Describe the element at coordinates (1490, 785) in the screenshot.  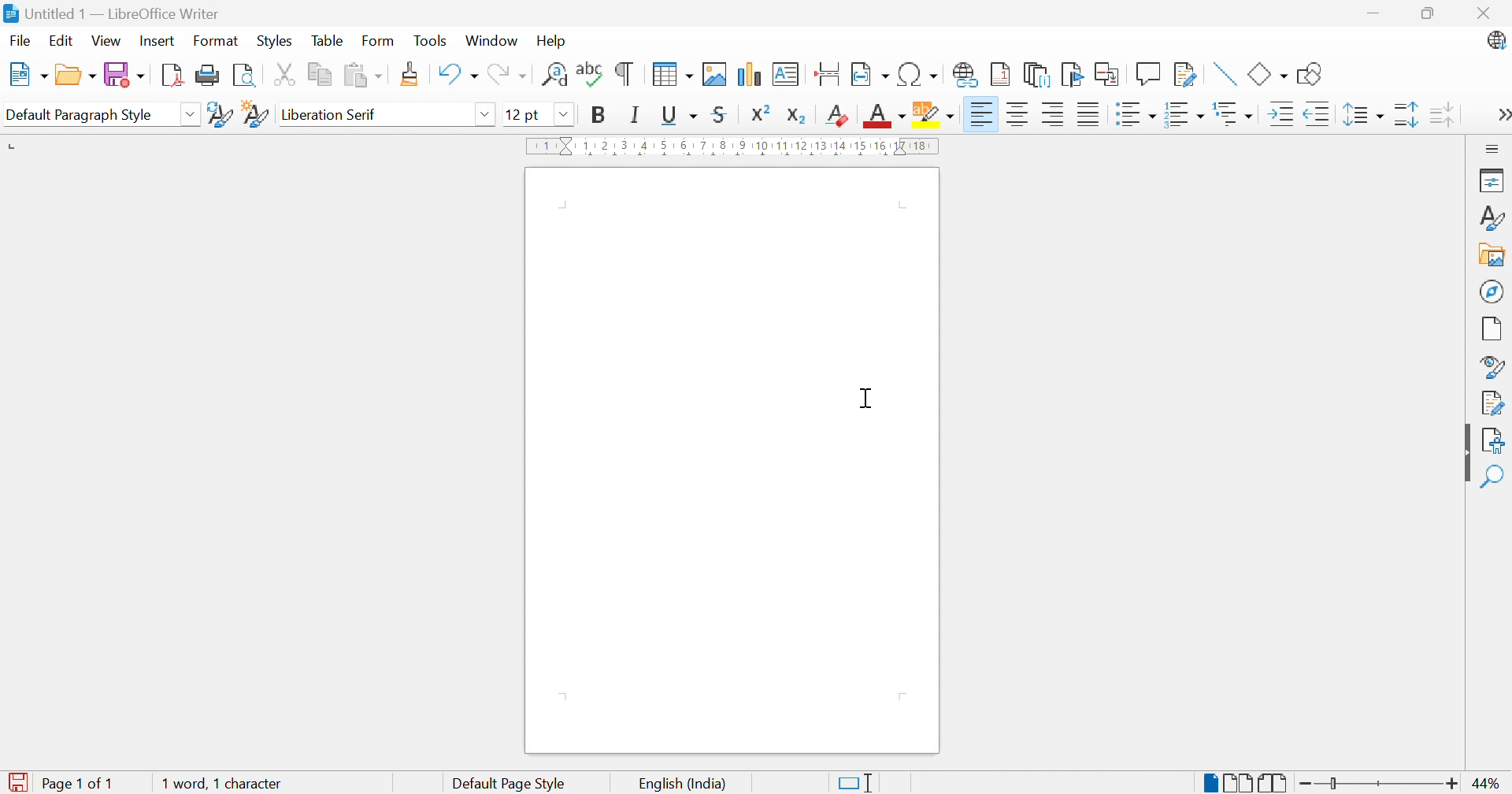
I see `44%` at that location.